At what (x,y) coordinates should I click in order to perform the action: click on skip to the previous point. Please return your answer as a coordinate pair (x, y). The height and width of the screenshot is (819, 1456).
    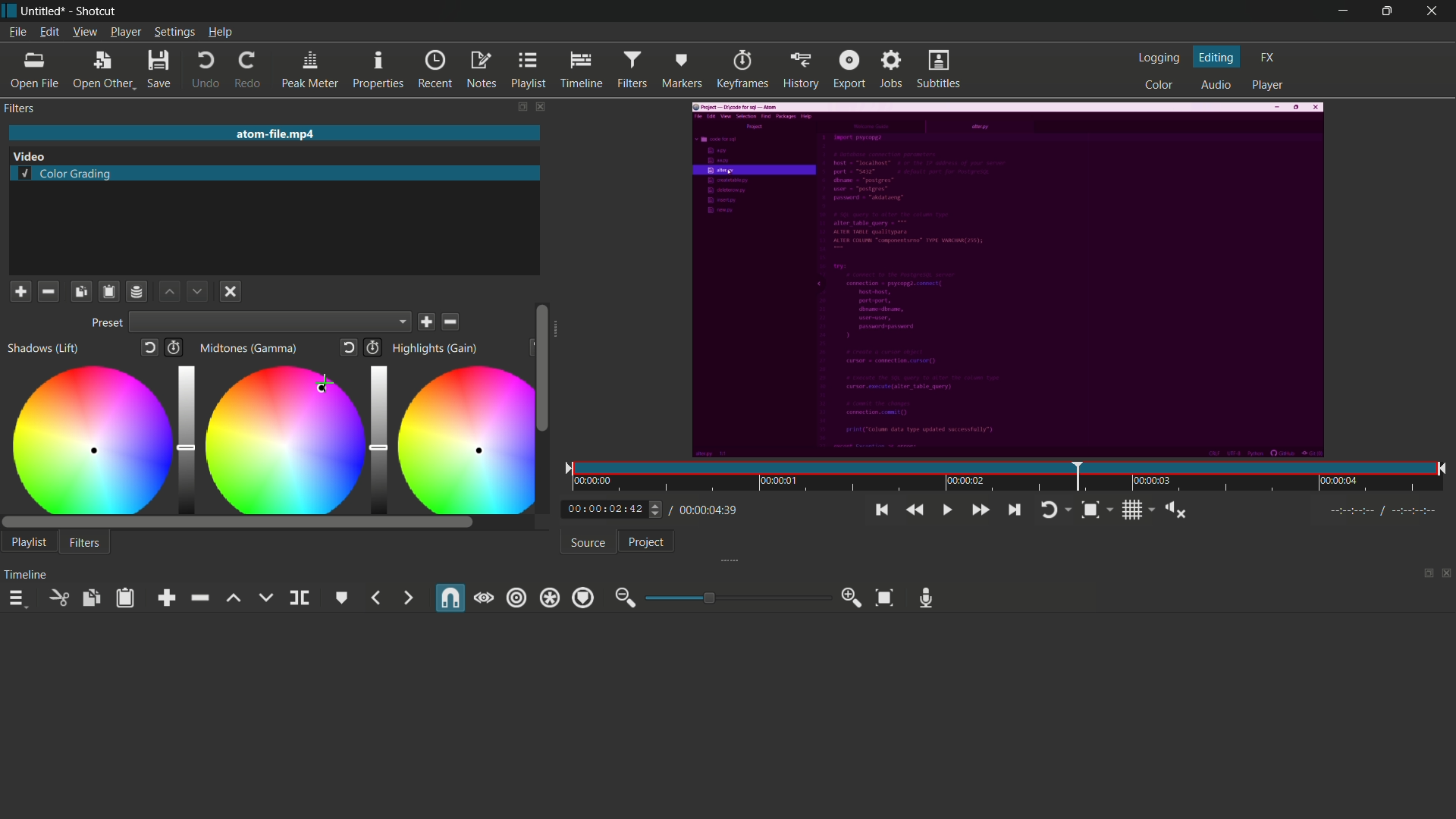
    Looking at the image, I should click on (880, 510).